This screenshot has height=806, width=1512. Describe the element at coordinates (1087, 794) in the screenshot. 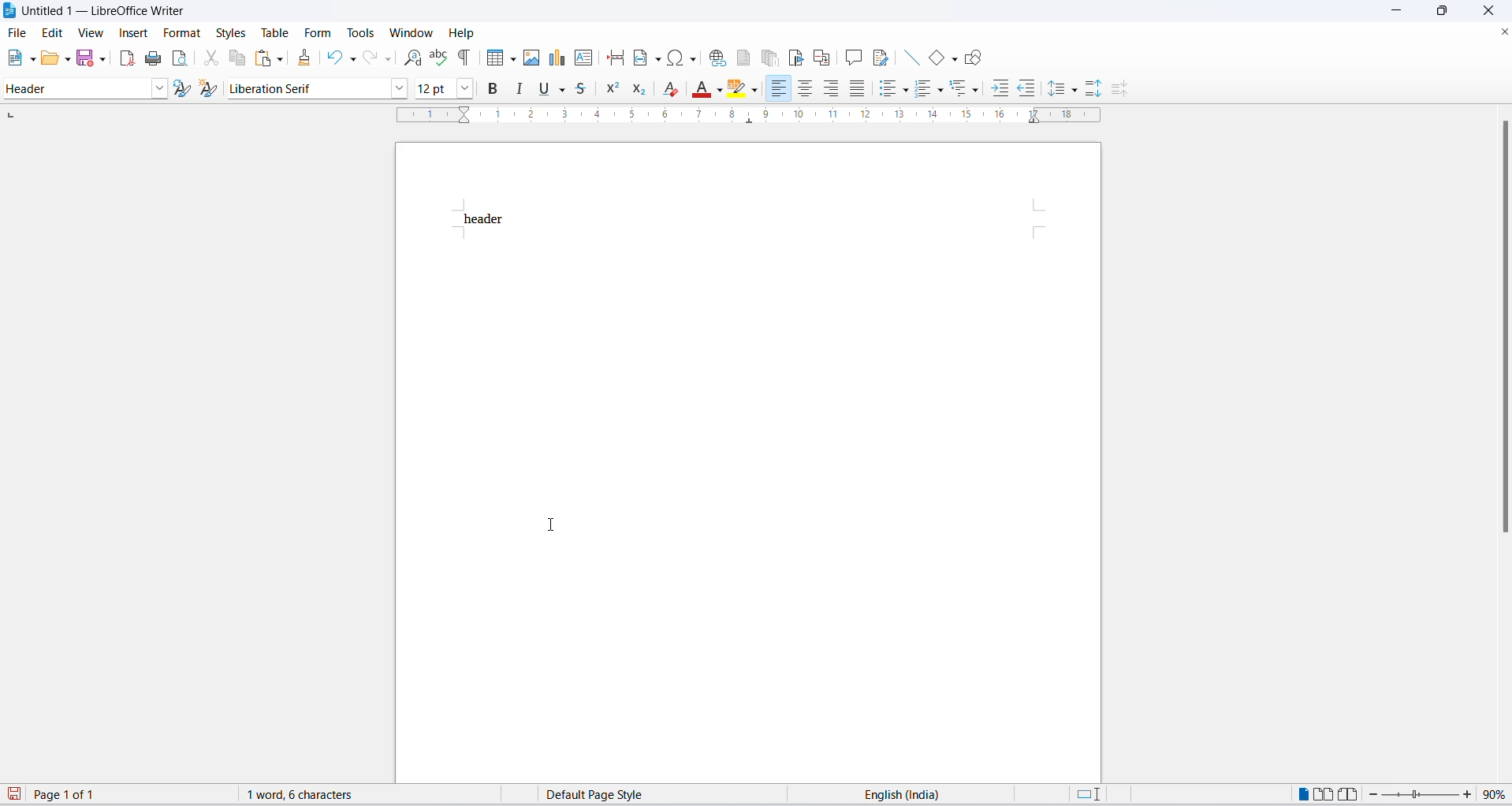

I see `standard selection` at that location.